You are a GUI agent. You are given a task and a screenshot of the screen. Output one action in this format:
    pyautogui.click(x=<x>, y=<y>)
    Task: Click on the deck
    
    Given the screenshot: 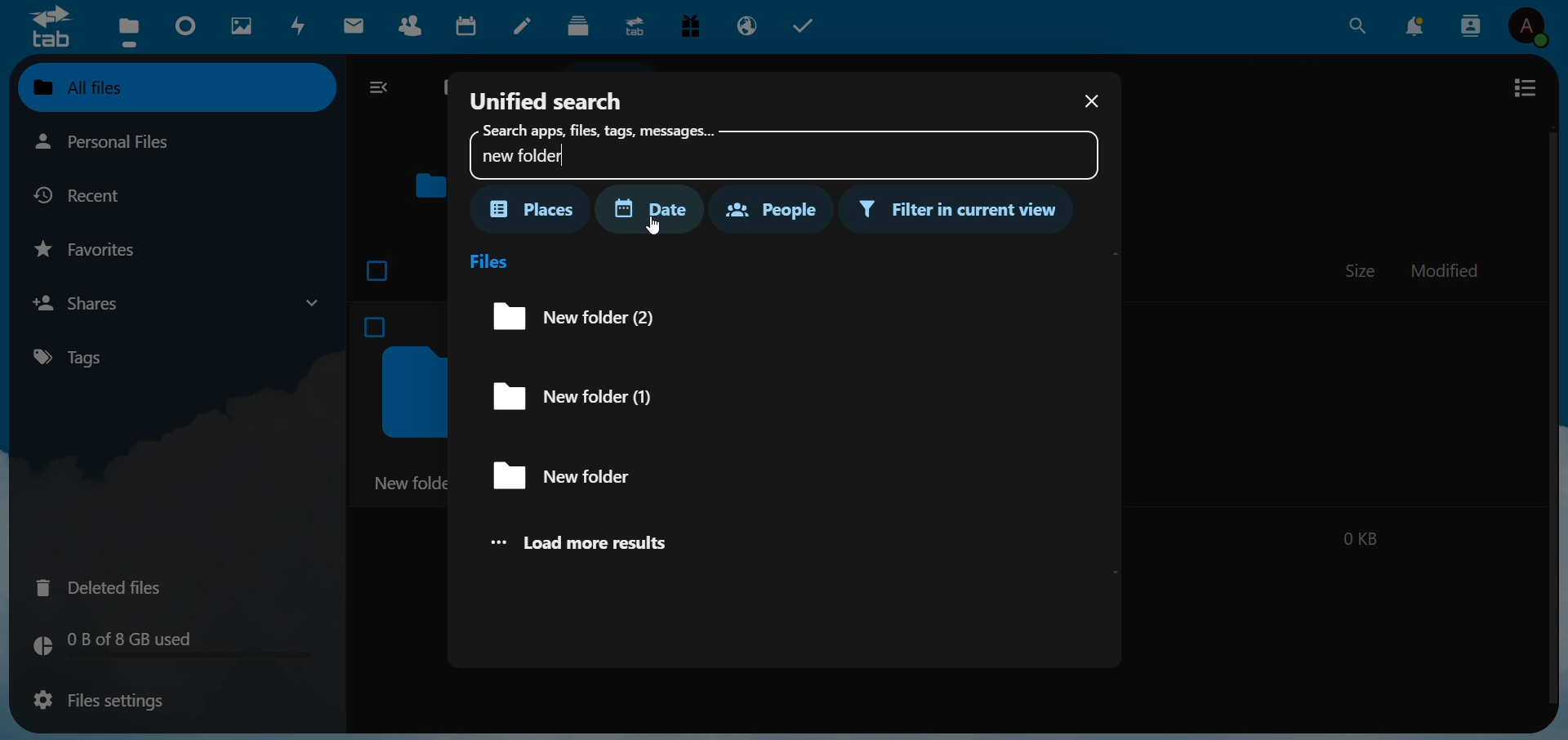 What is the action you would take?
    pyautogui.click(x=578, y=26)
    